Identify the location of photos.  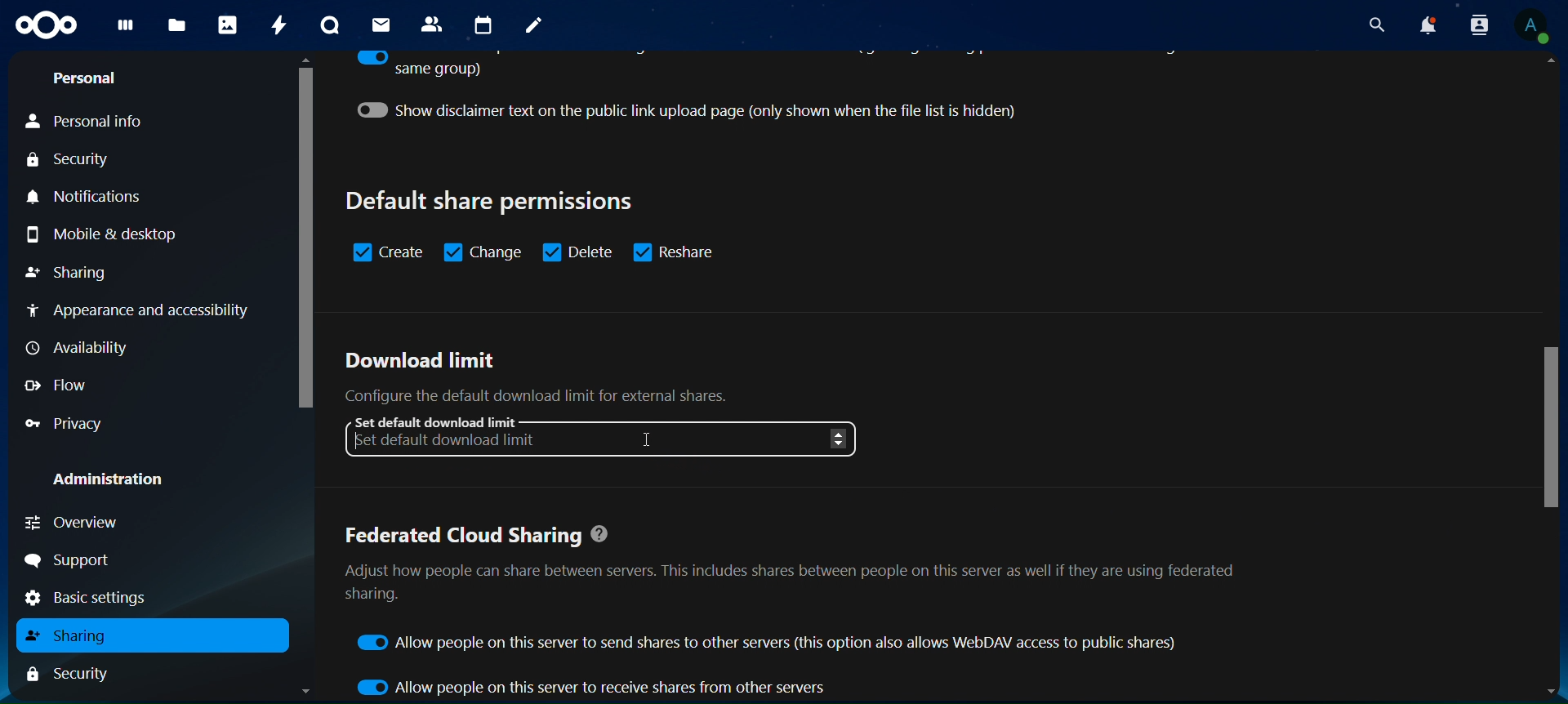
(230, 25).